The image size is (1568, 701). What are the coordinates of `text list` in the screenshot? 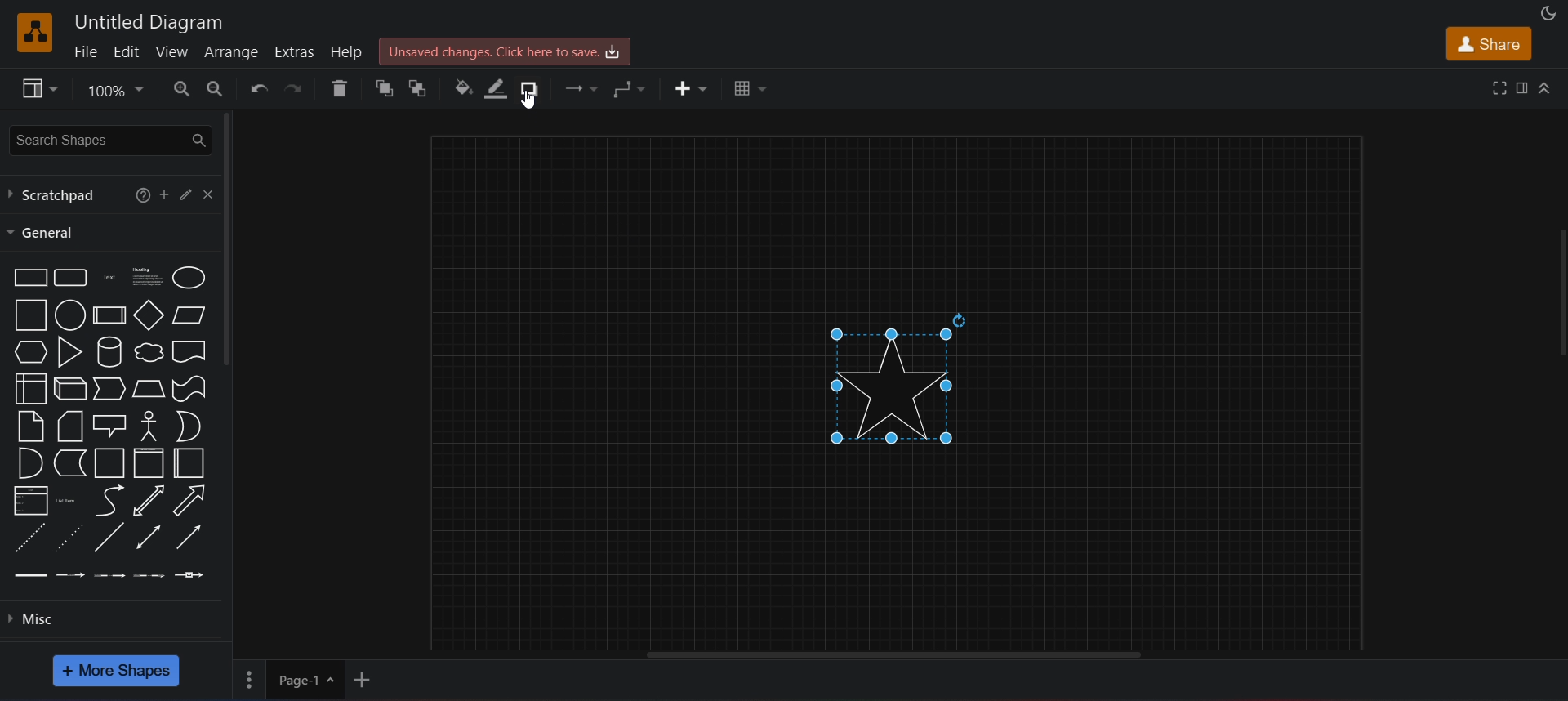 It's located at (68, 502).